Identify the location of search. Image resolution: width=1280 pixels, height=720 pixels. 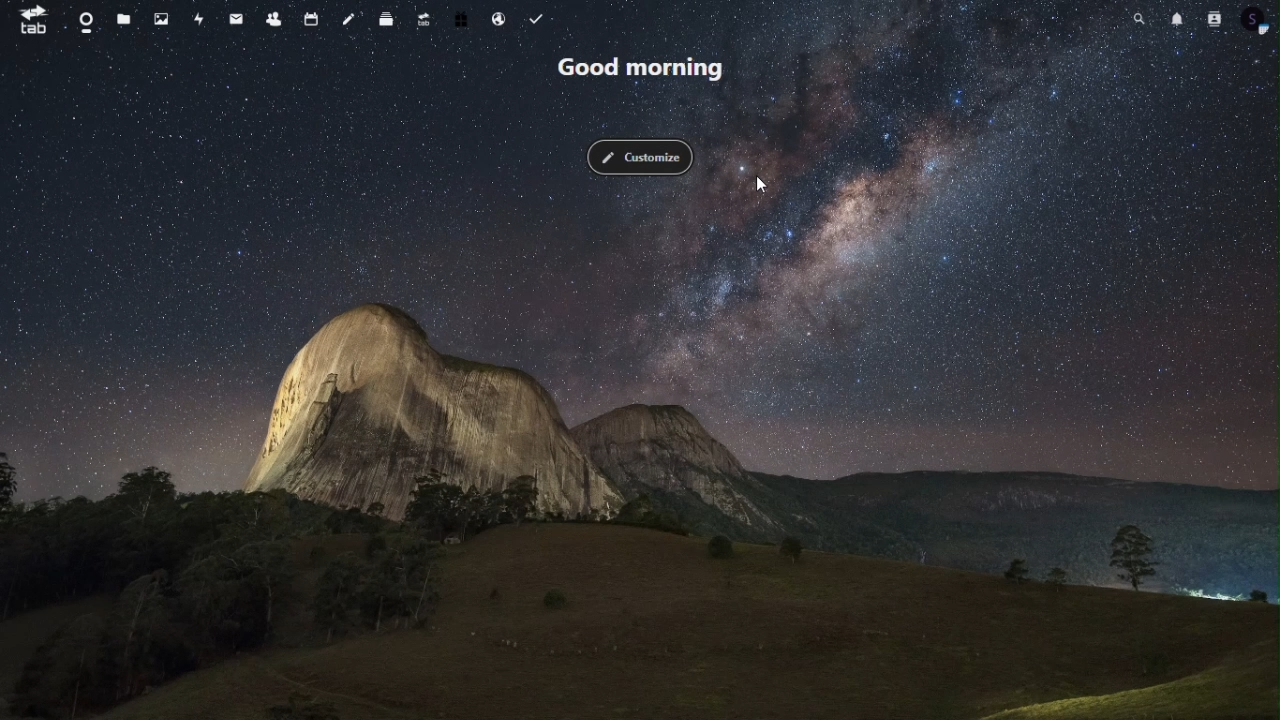
(1137, 18).